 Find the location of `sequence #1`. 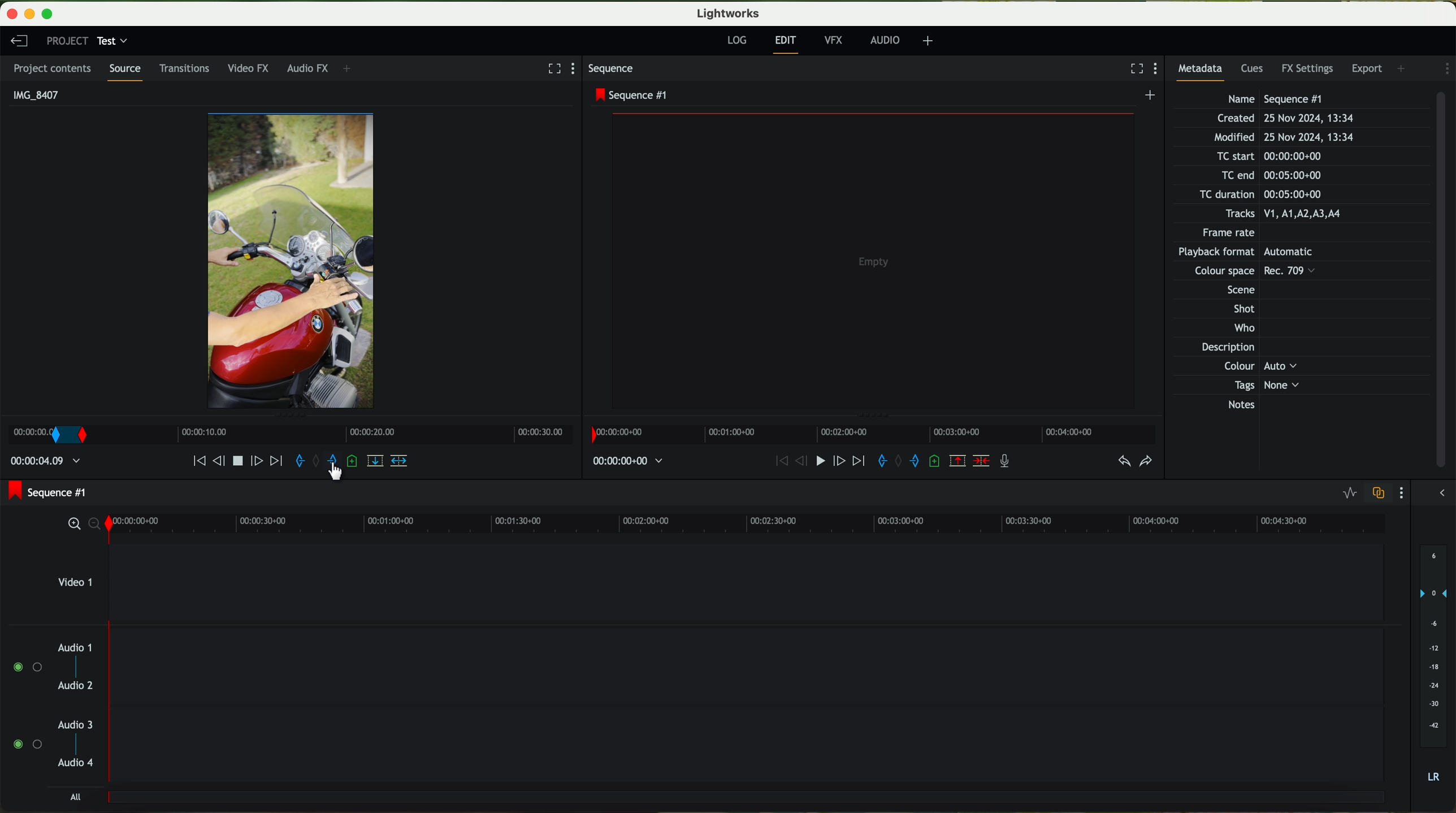

sequence #1 is located at coordinates (49, 492).